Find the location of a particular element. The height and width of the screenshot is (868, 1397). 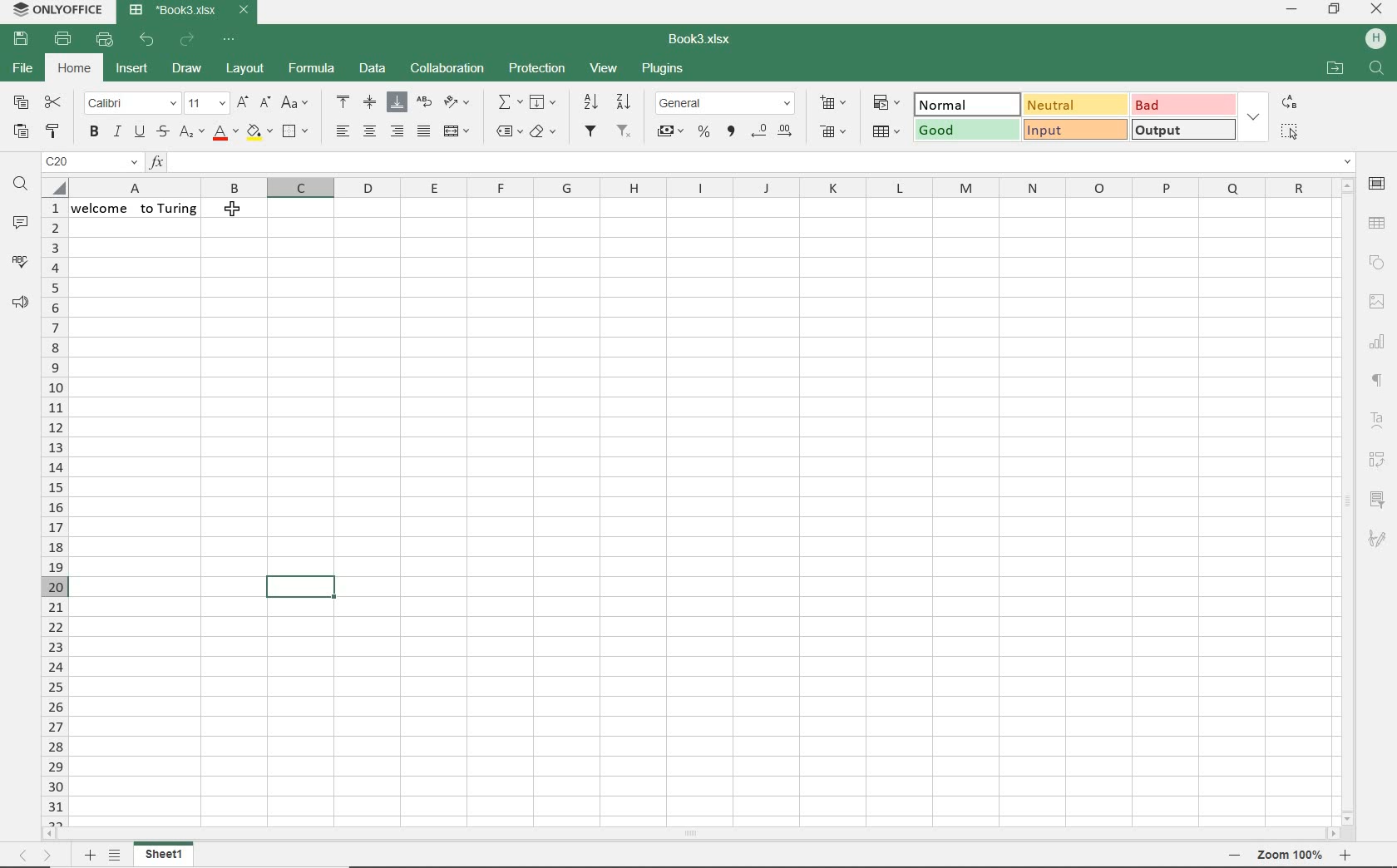

copy style is located at coordinates (54, 133).